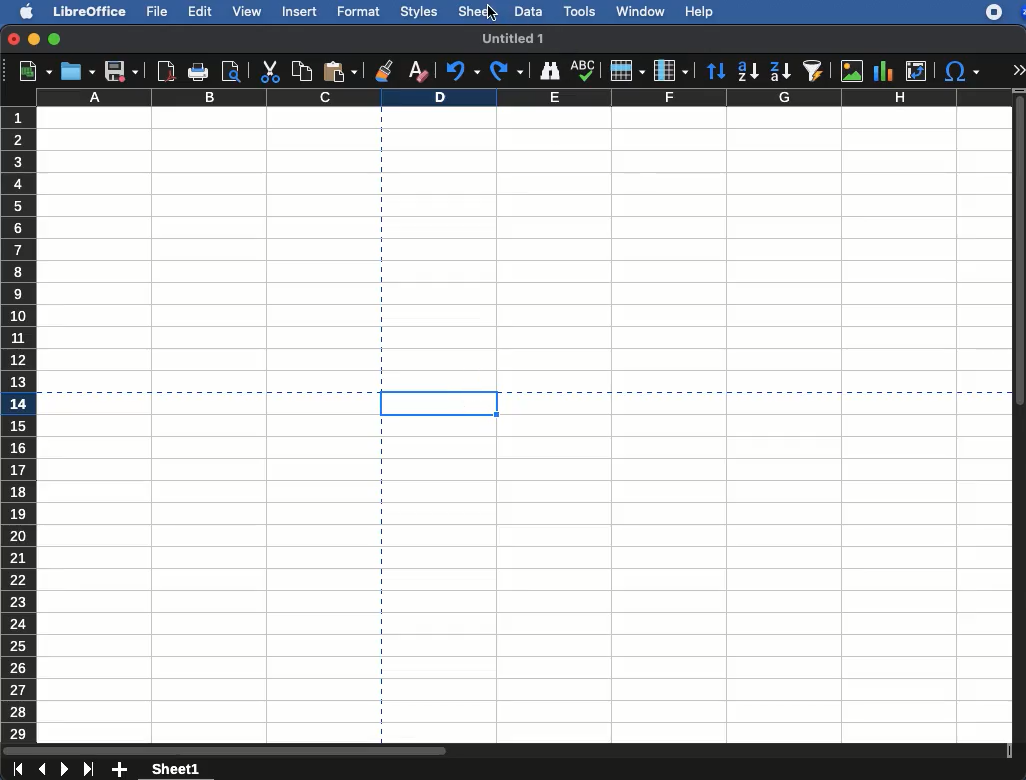 The height and width of the screenshot is (780, 1026). Describe the element at coordinates (580, 13) in the screenshot. I see `tools` at that location.